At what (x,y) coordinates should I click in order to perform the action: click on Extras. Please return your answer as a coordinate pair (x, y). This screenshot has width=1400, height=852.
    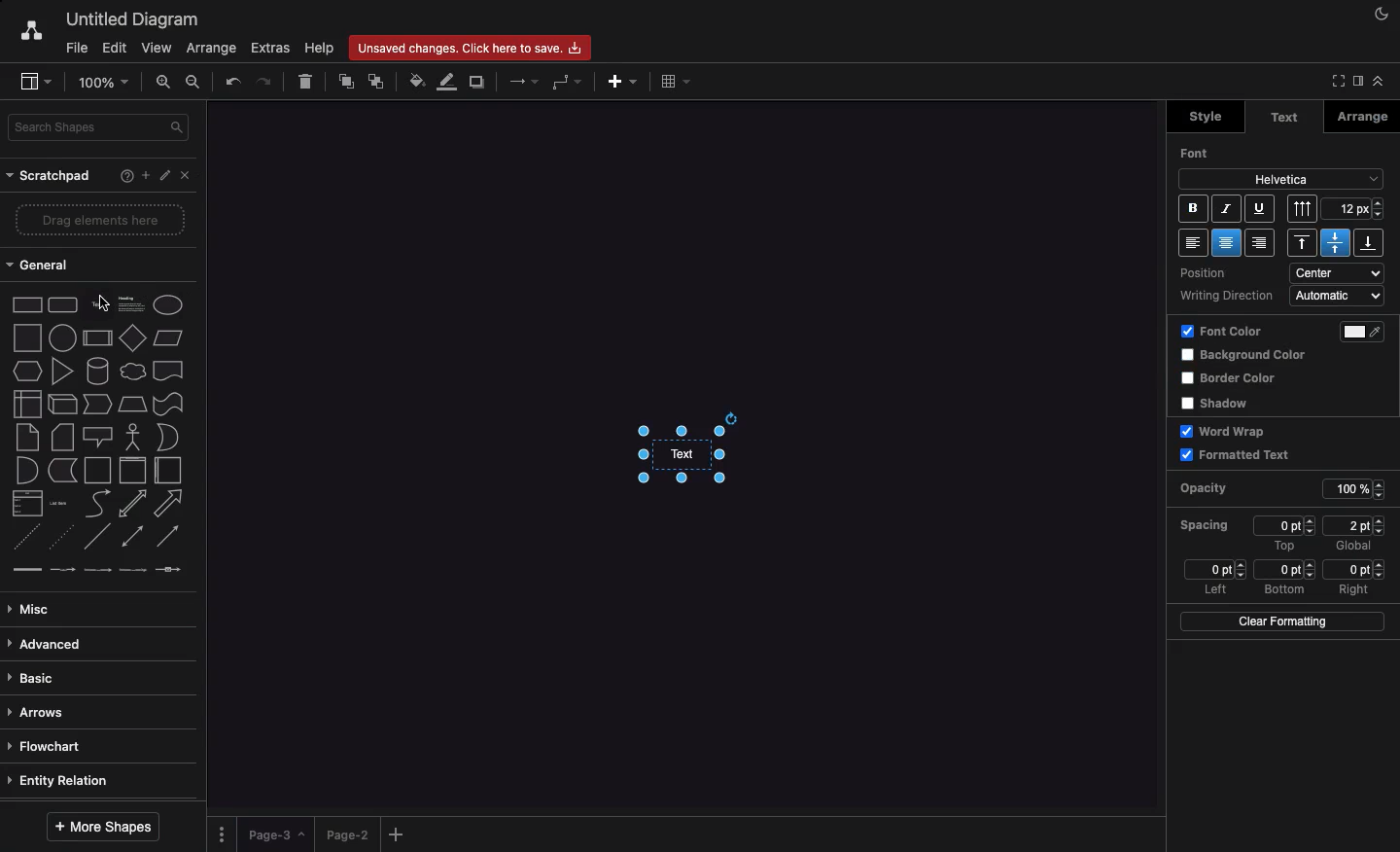
    Looking at the image, I should click on (271, 48).